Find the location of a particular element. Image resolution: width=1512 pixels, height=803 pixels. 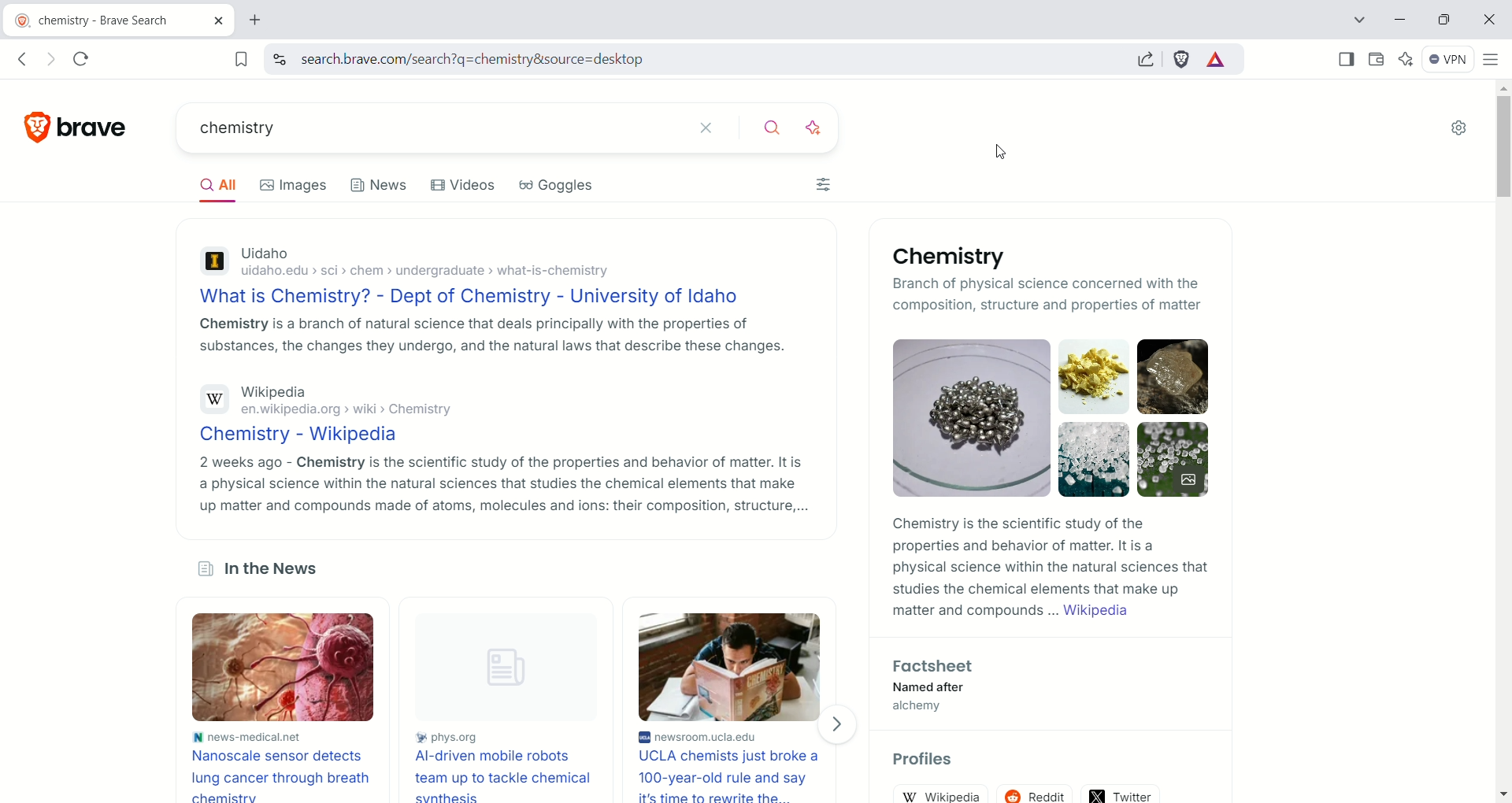

search tabs is located at coordinates (1359, 20).